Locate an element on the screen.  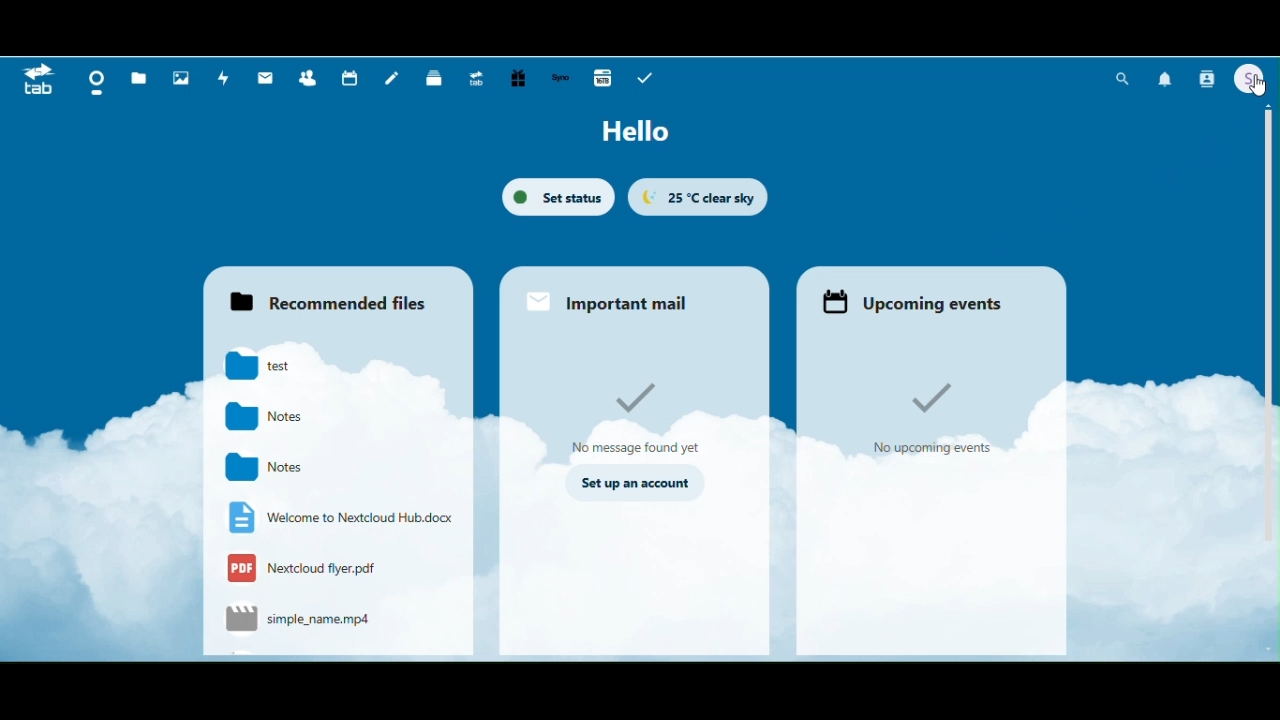
Upcoming events  is located at coordinates (931, 295).